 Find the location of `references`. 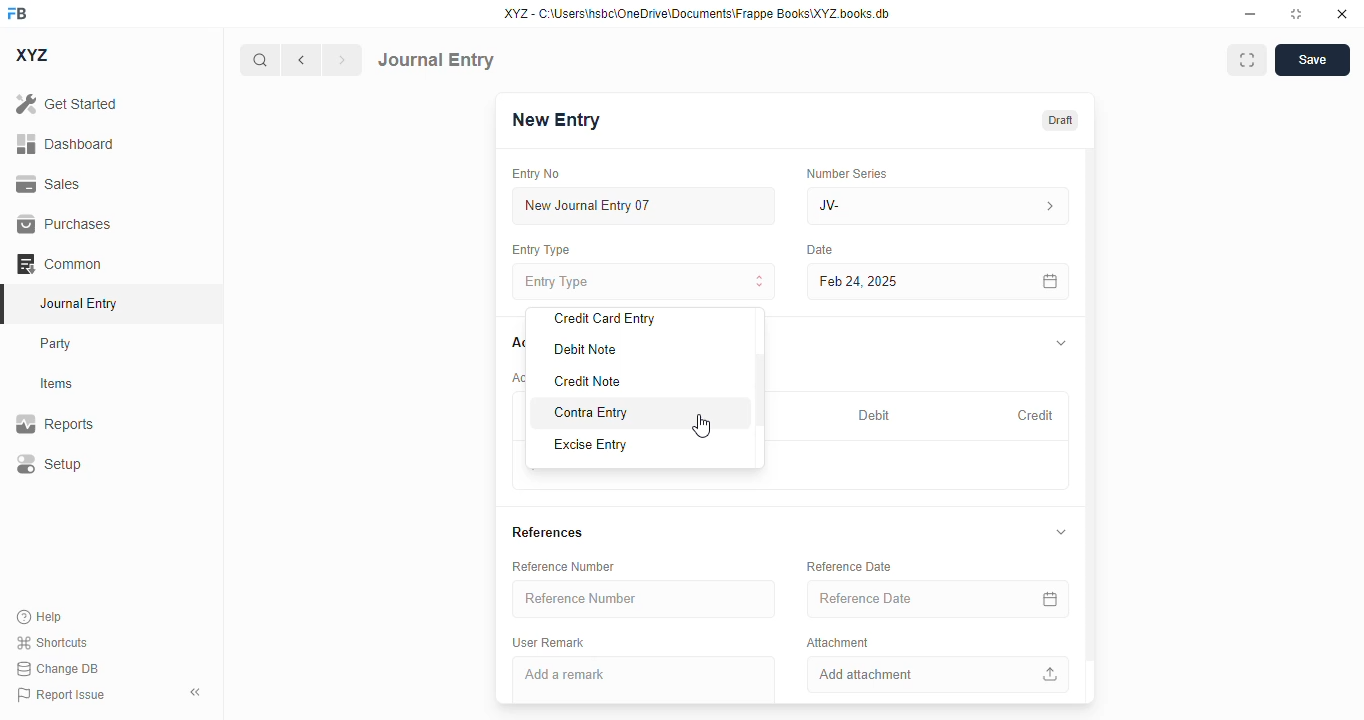

references is located at coordinates (548, 533).